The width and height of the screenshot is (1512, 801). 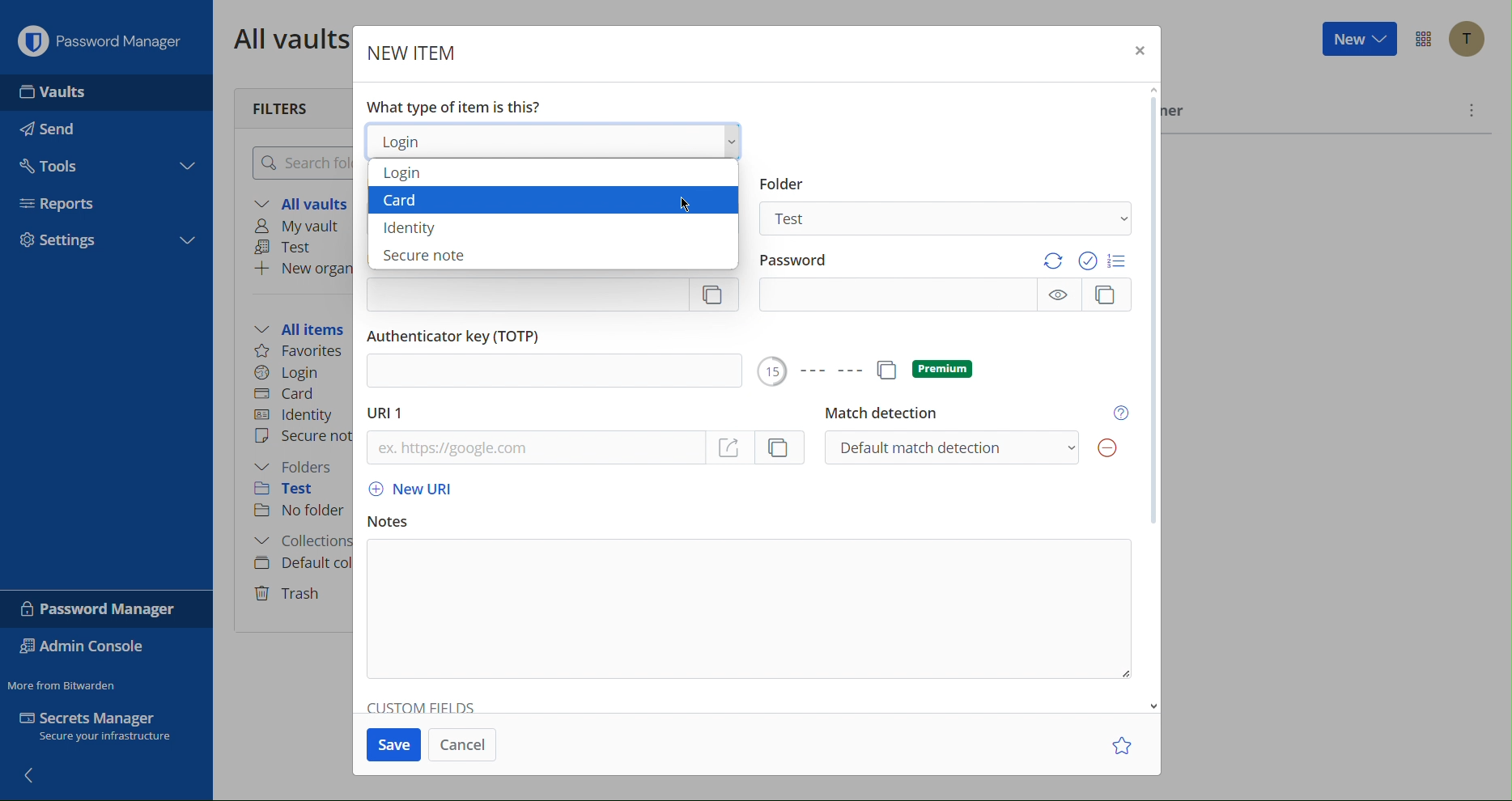 What do you see at coordinates (882, 413) in the screenshot?
I see `Match detection` at bounding box center [882, 413].